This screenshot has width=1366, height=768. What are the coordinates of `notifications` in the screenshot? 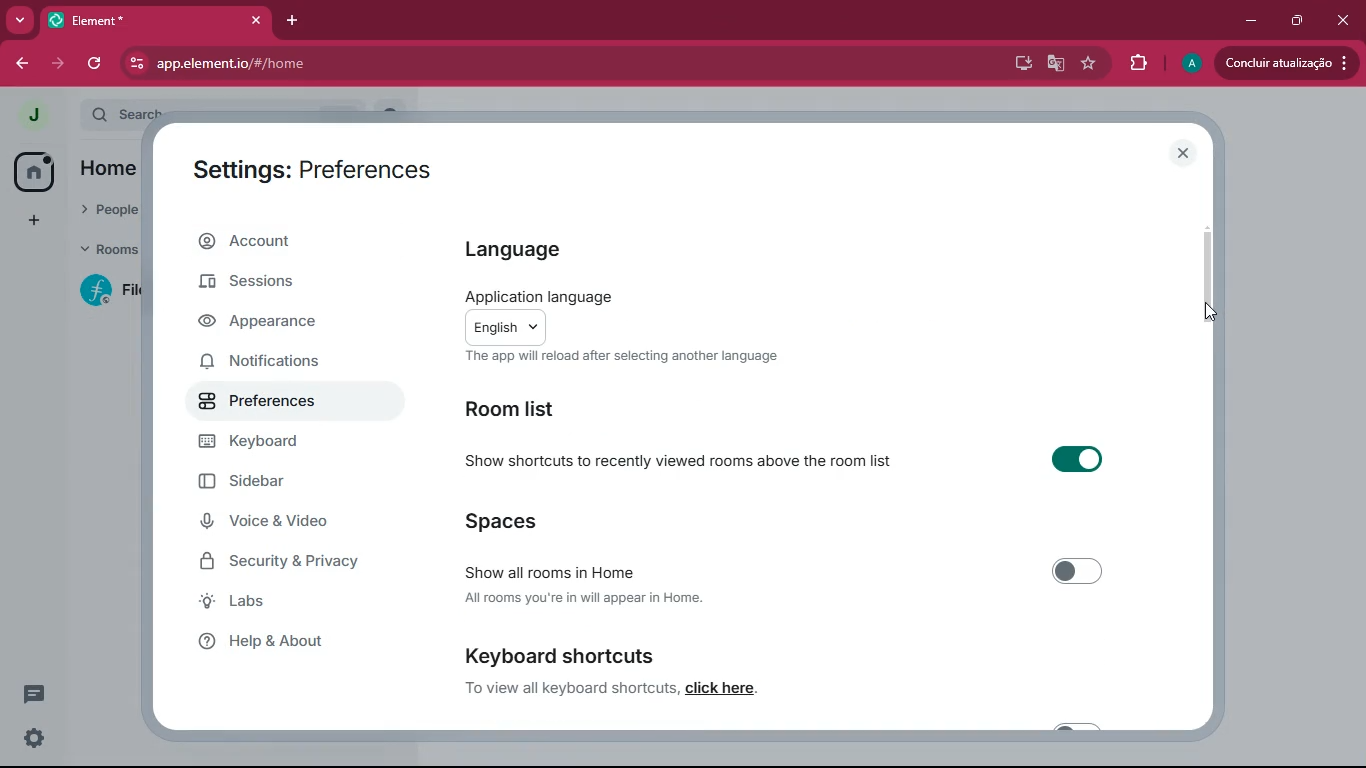 It's located at (285, 365).